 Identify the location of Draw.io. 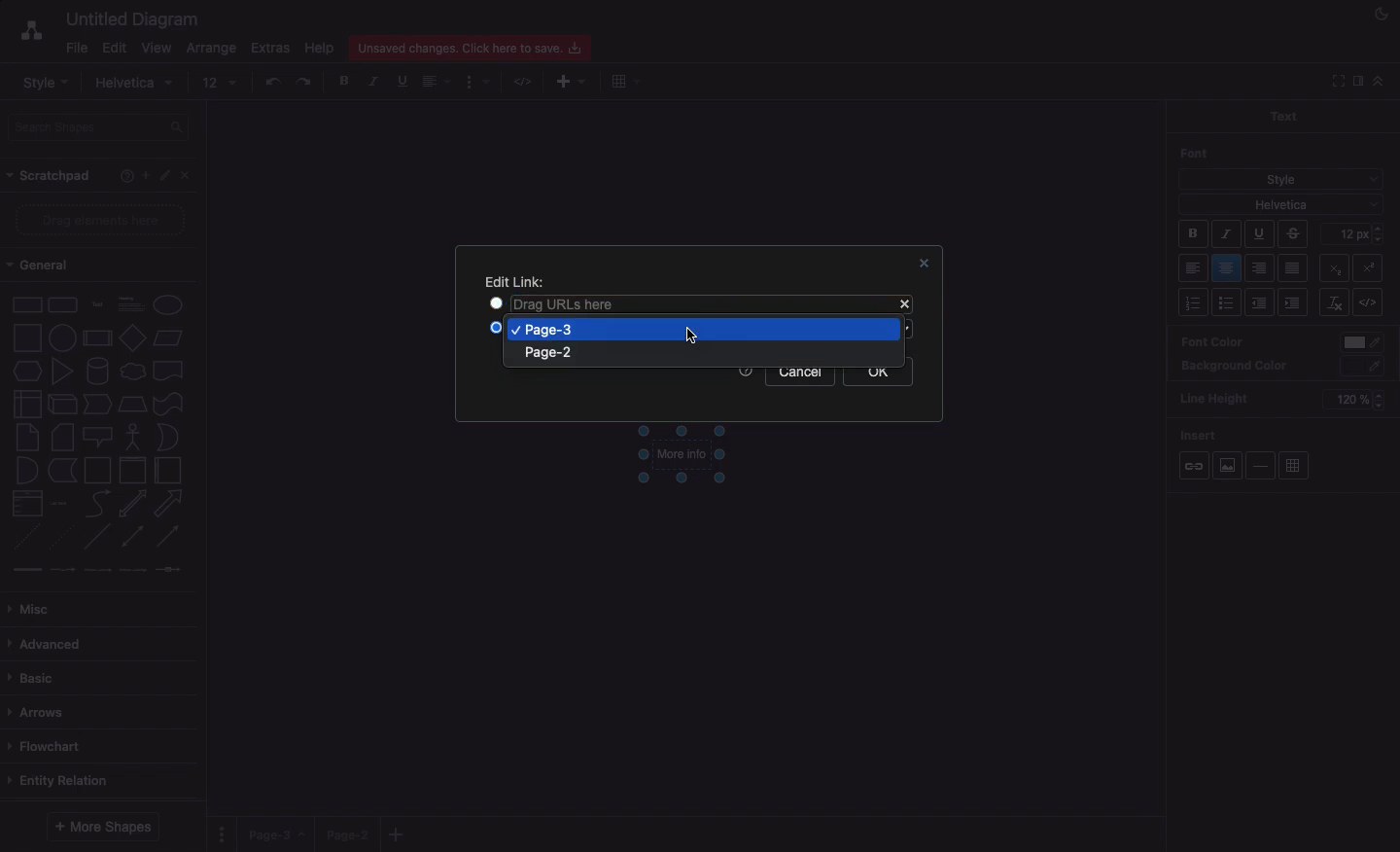
(21, 33).